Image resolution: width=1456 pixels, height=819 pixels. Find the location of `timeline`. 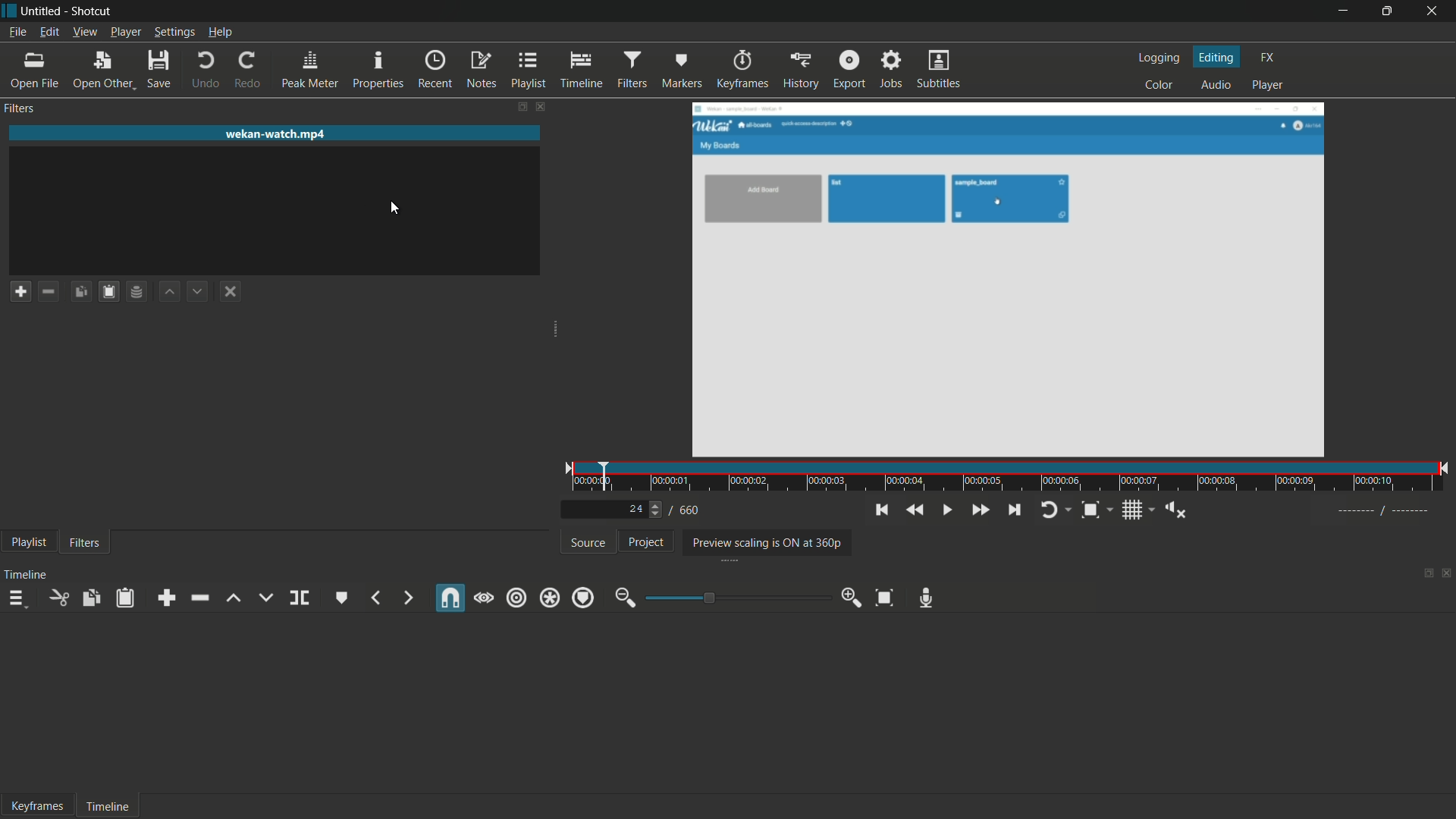

timeline is located at coordinates (27, 575).